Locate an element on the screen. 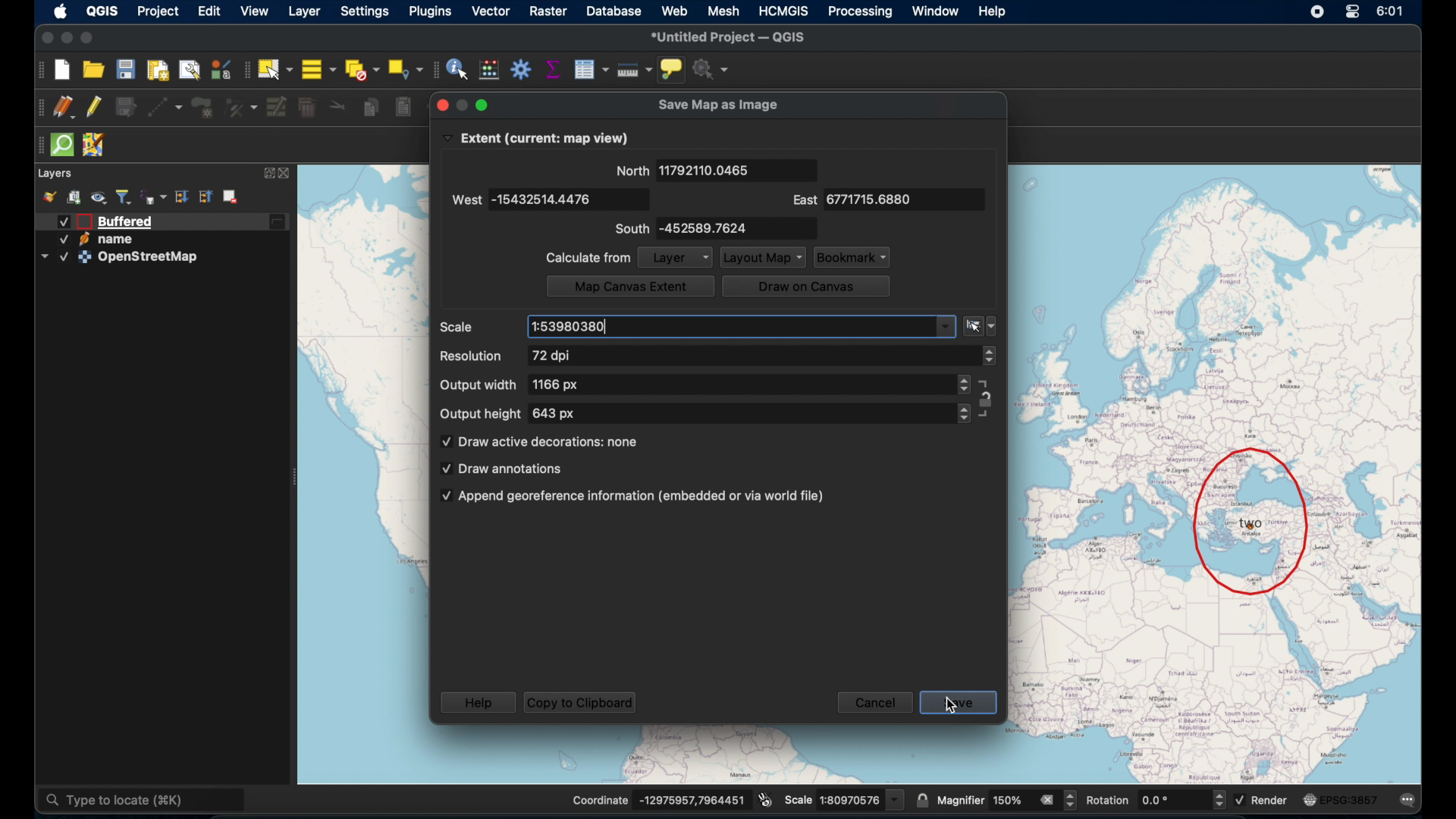  close is located at coordinates (441, 106).